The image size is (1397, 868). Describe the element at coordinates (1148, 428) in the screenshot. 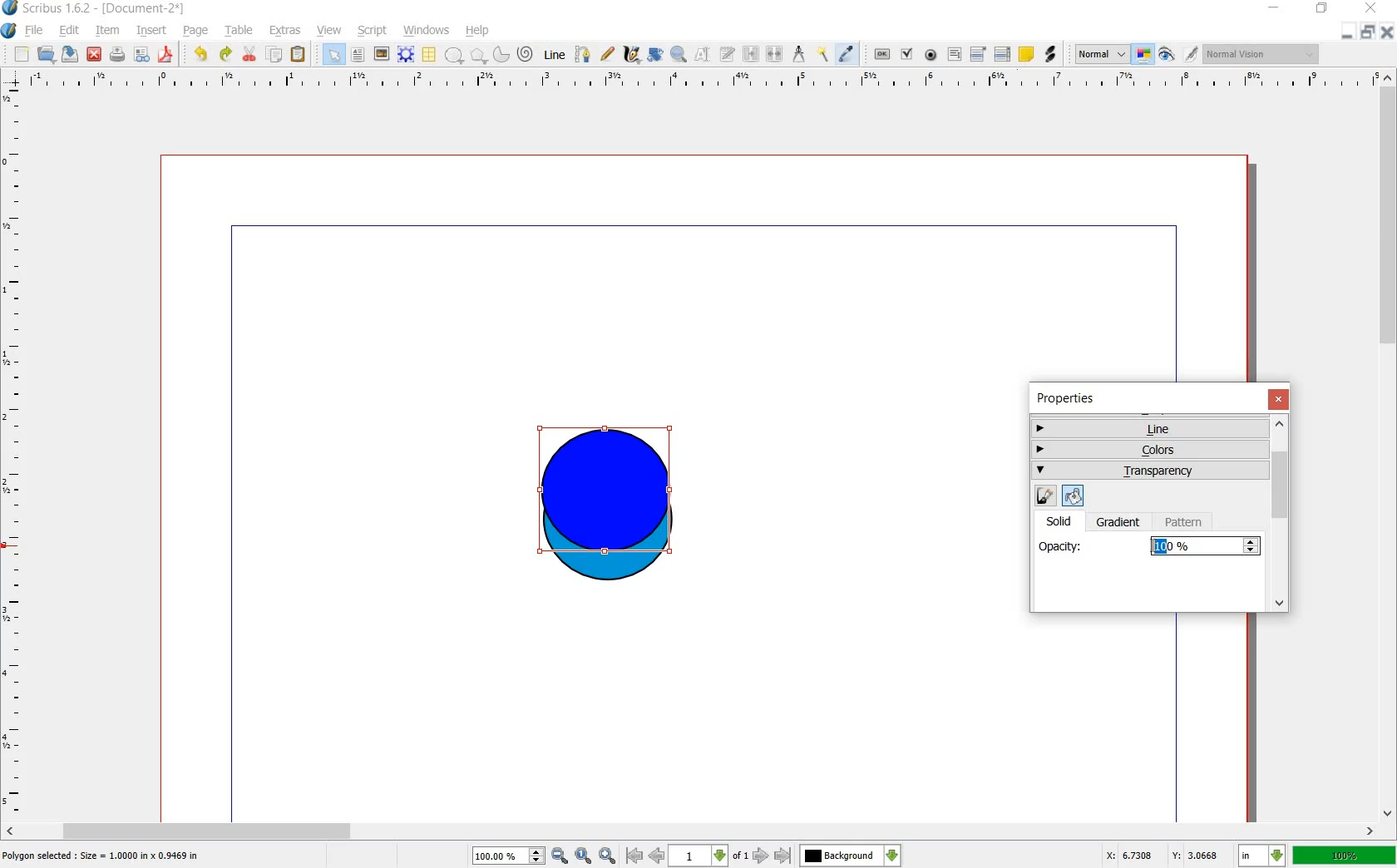

I see `line` at that location.